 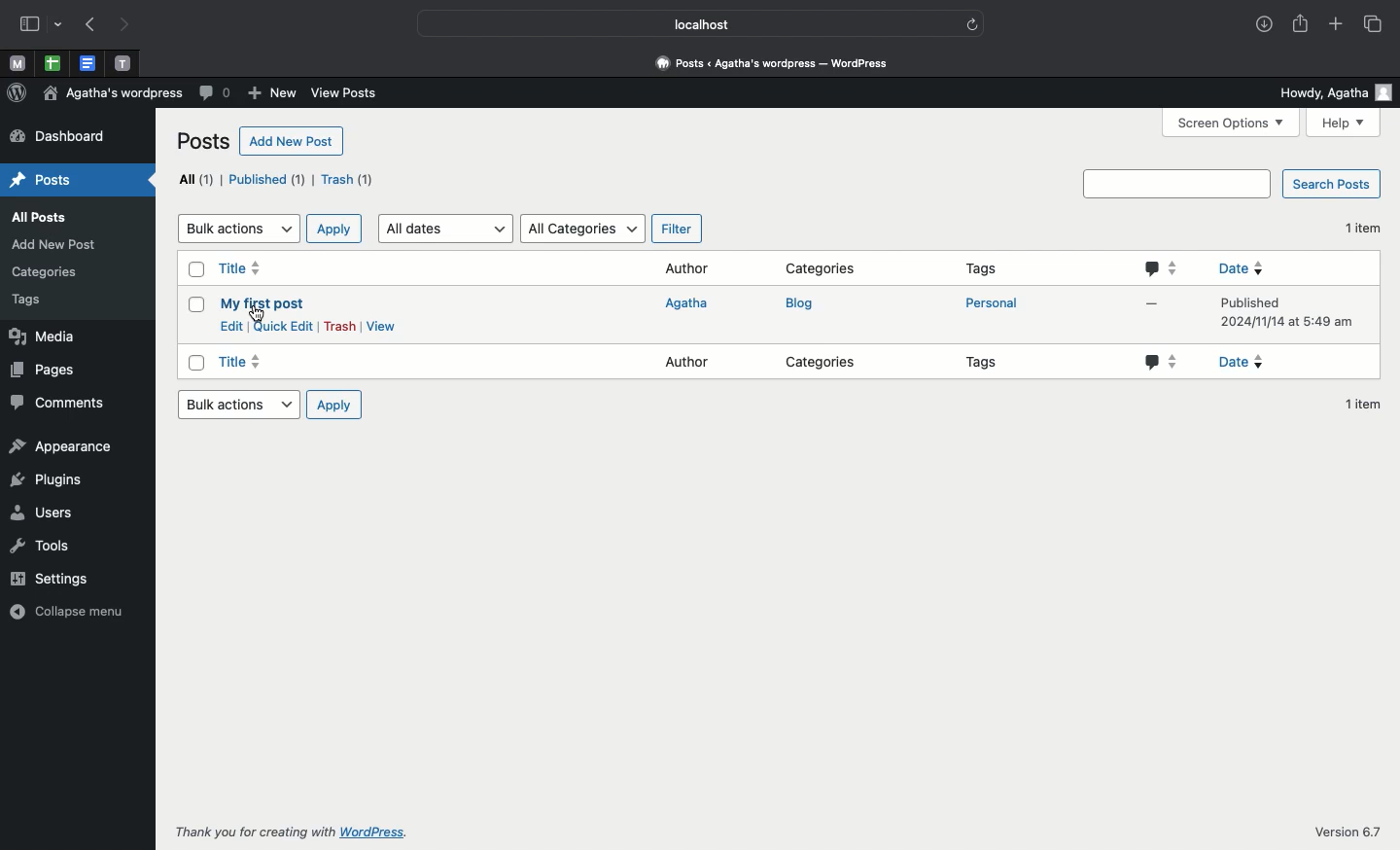 I want to click on 1 item, so click(x=1362, y=226).